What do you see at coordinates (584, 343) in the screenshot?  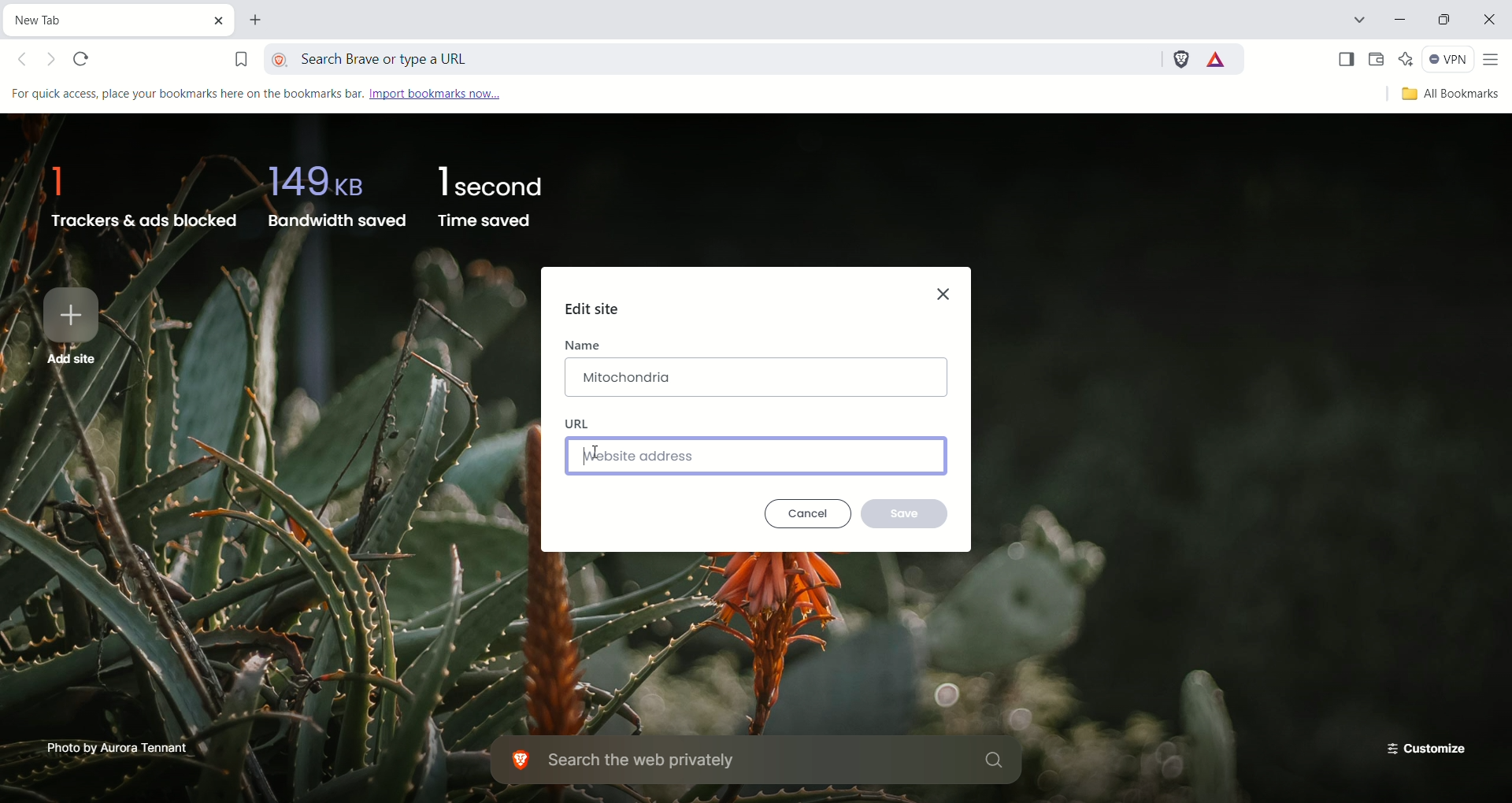 I see `name` at bounding box center [584, 343].